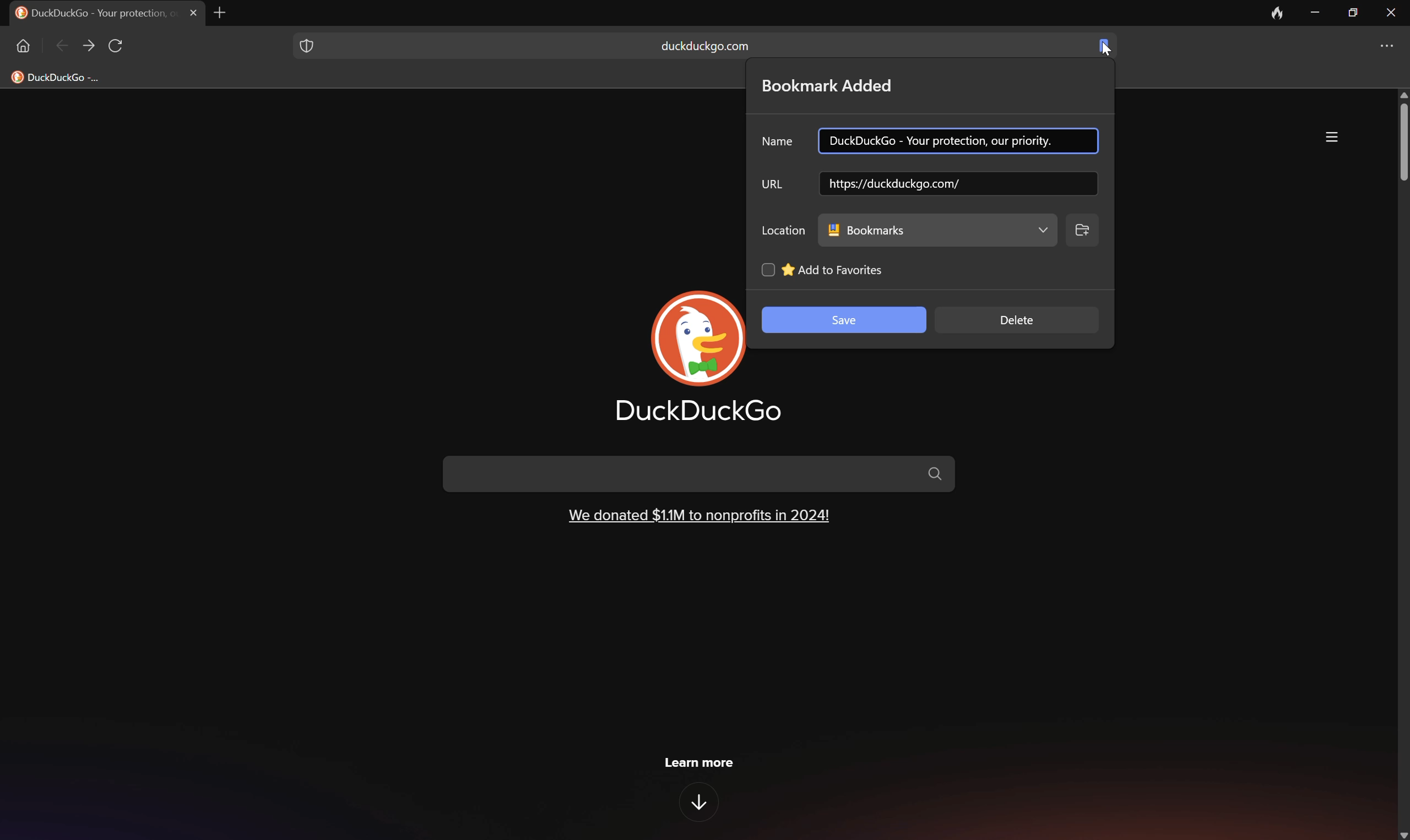 The width and height of the screenshot is (1410, 840). What do you see at coordinates (1318, 12) in the screenshot?
I see `Minimize` at bounding box center [1318, 12].